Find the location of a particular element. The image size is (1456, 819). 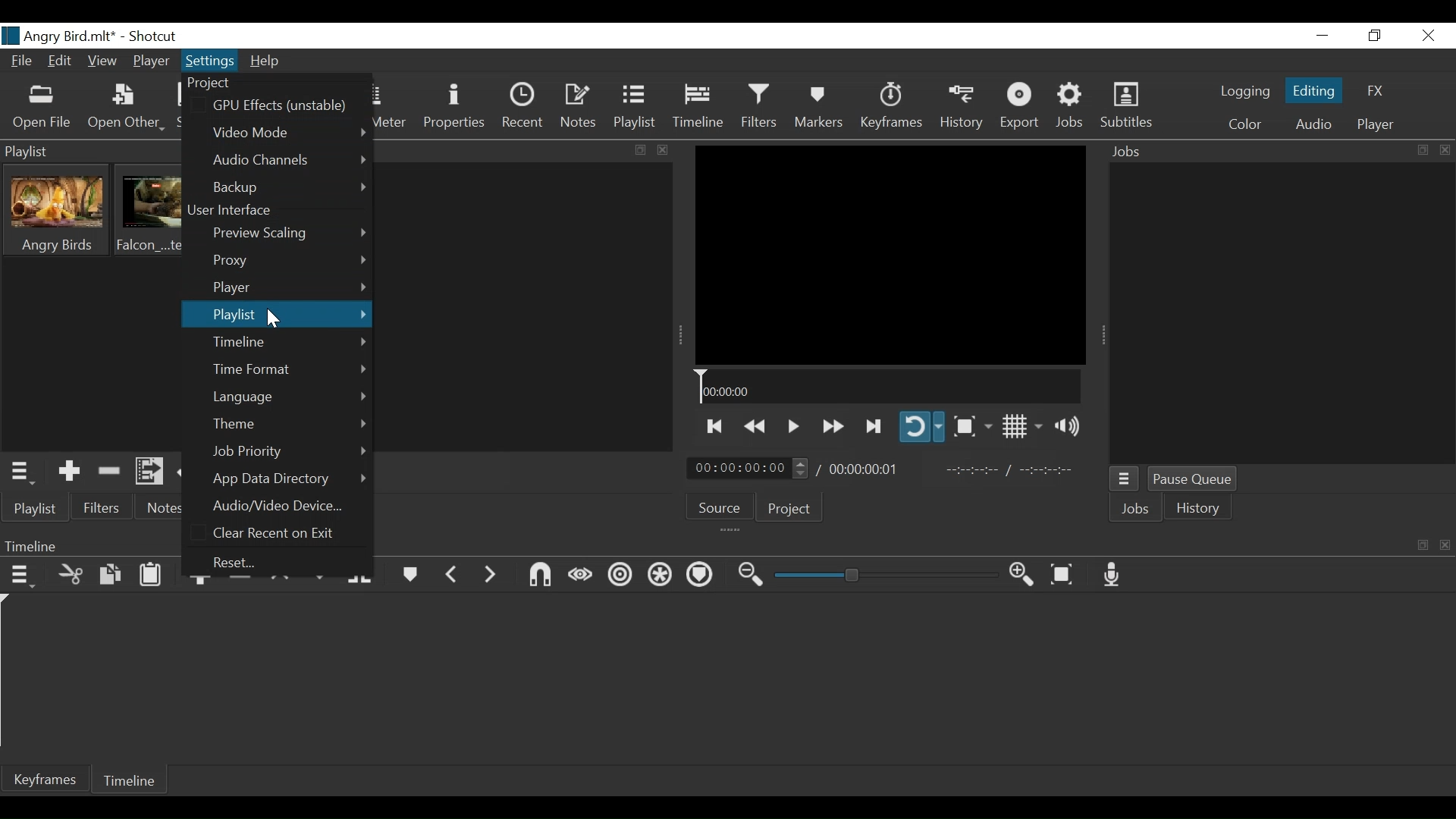

History is located at coordinates (964, 108).